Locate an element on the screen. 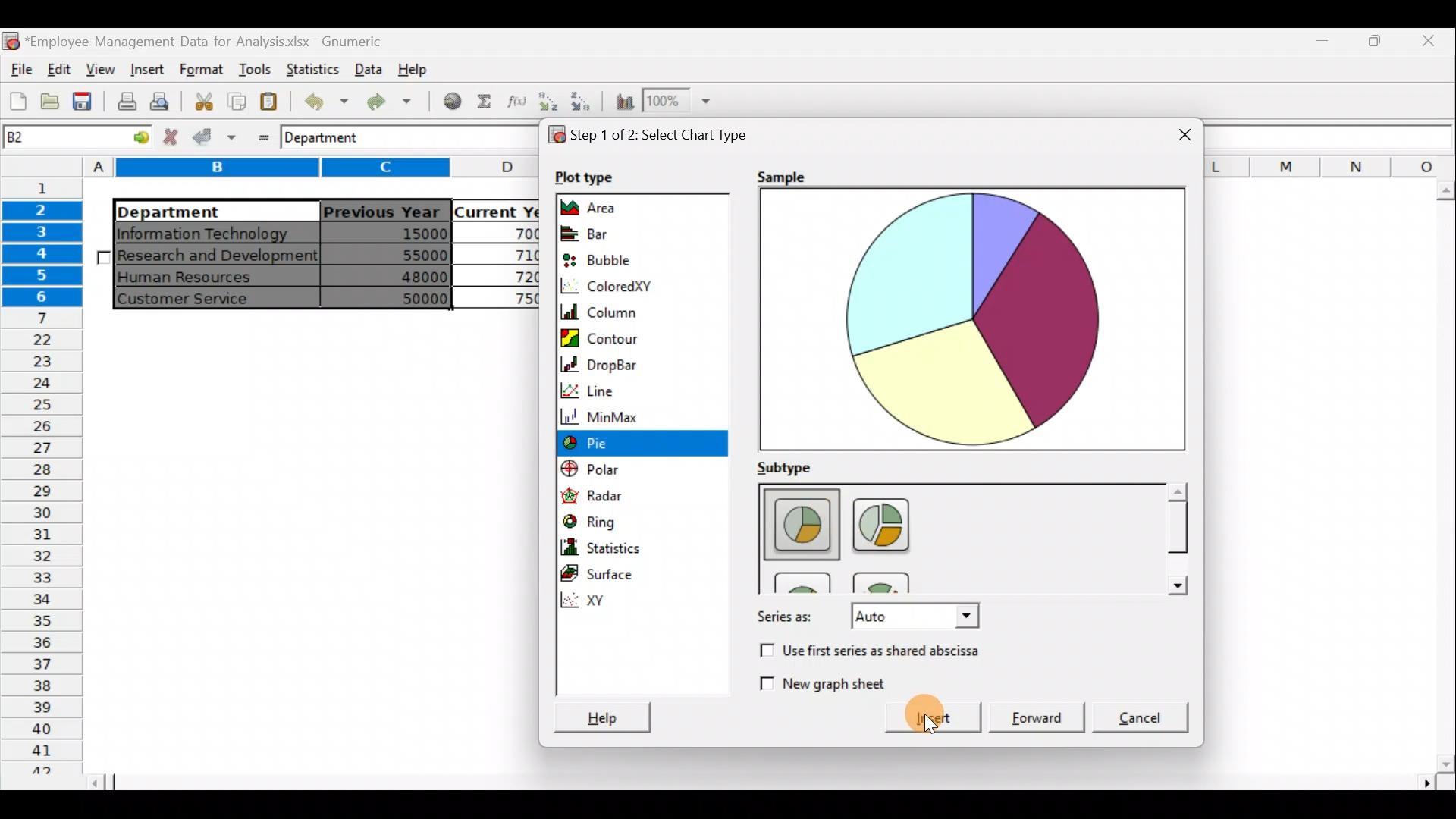 The image size is (1456, 819). Step 1 of 2: Select Chart Type is located at coordinates (664, 134).